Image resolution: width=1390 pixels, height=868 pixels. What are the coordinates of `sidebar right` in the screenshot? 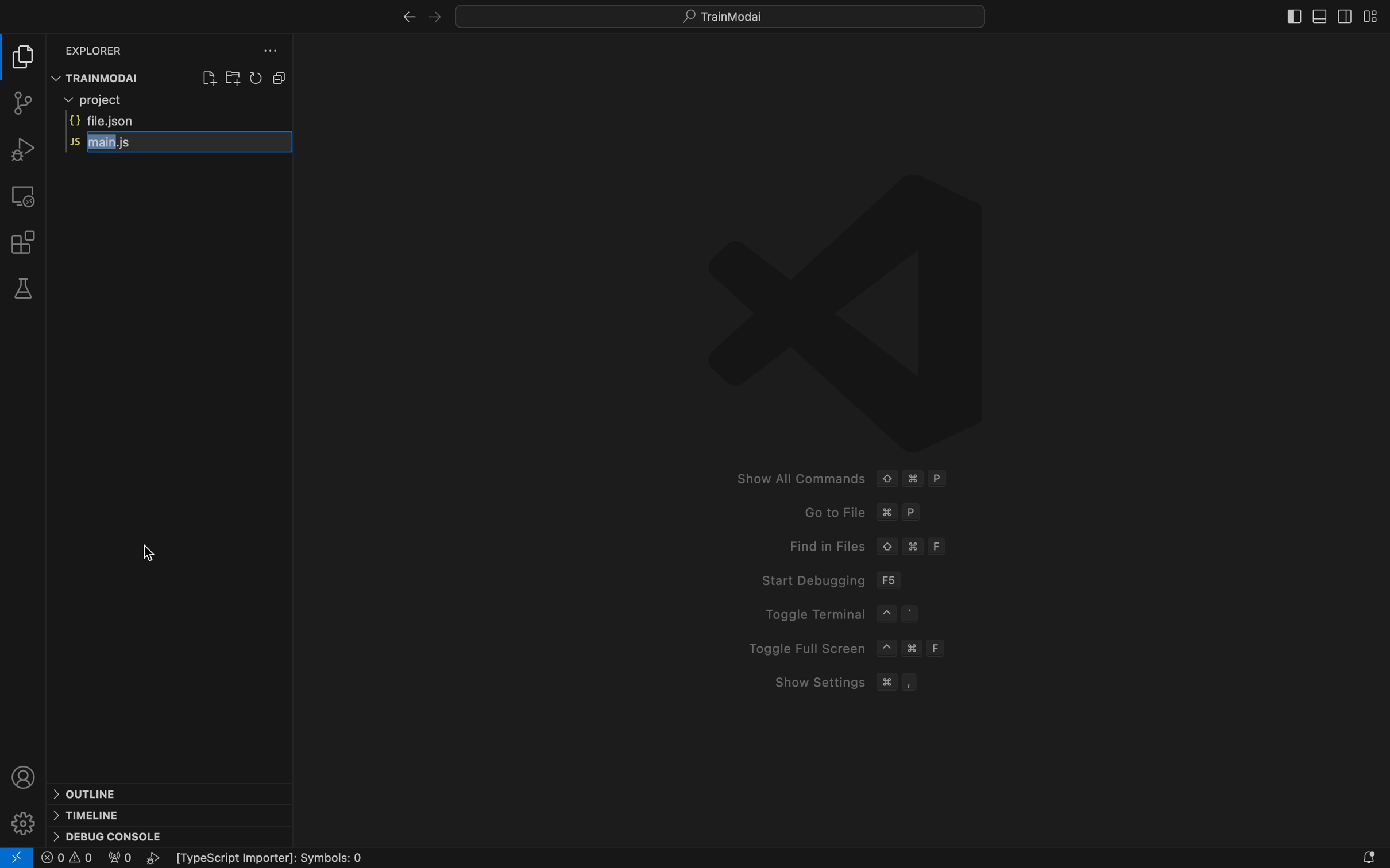 It's located at (1346, 17).